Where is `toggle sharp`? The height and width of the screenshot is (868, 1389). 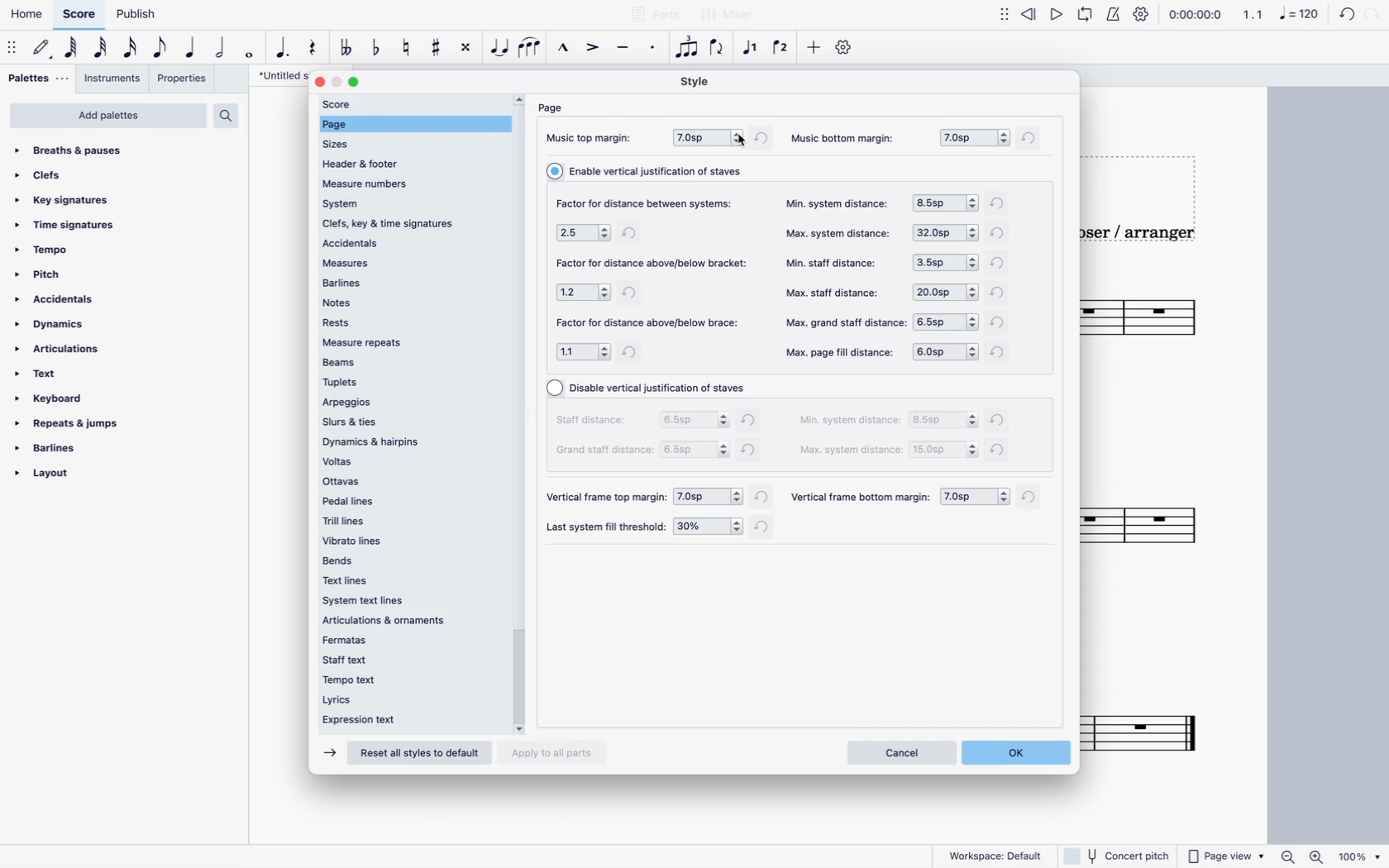
toggle sharp is located at coordinates (435, 48).